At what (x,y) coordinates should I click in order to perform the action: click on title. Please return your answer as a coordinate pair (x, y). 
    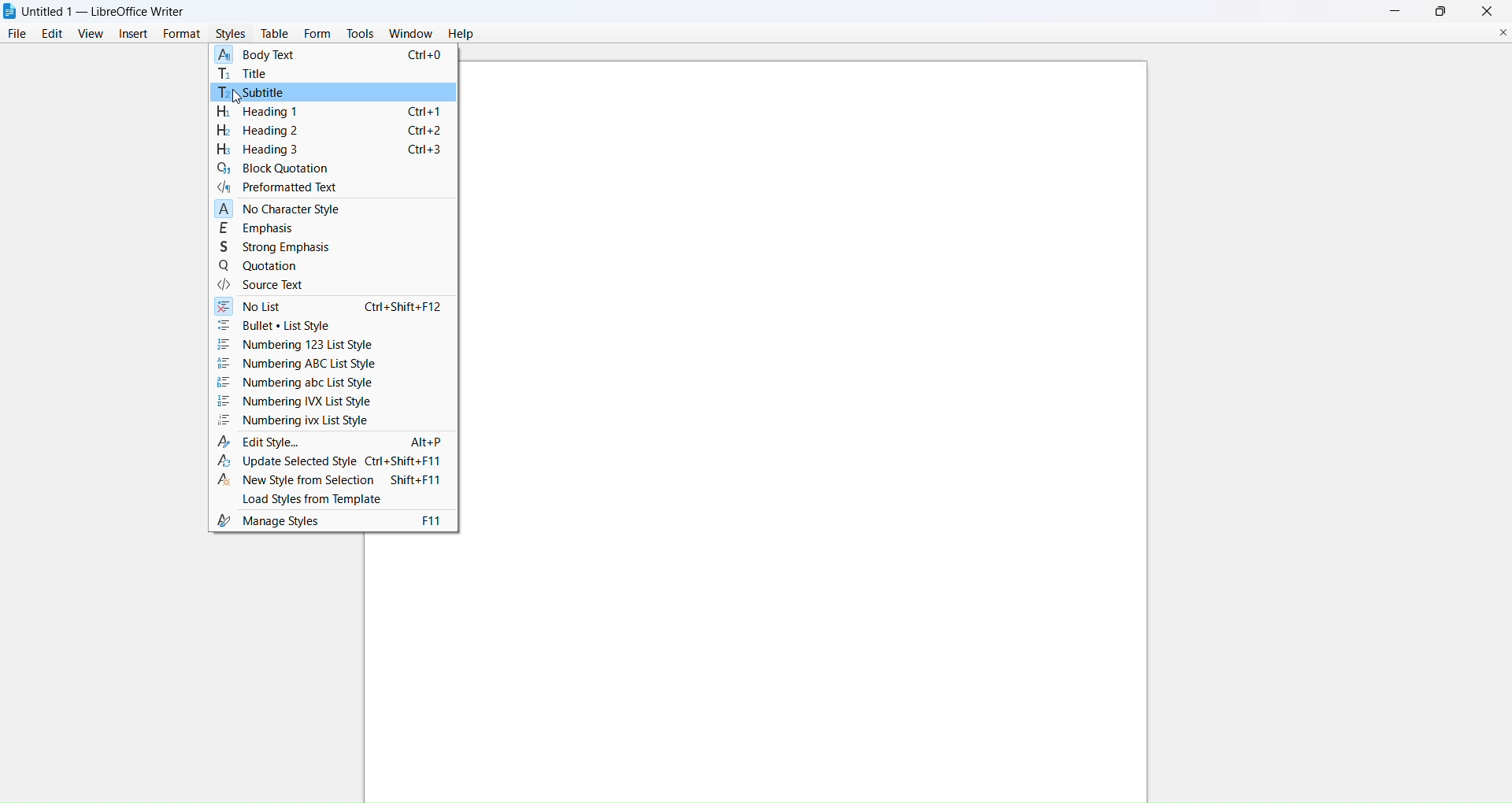
    Looking at the image, I should click on (253, 73).